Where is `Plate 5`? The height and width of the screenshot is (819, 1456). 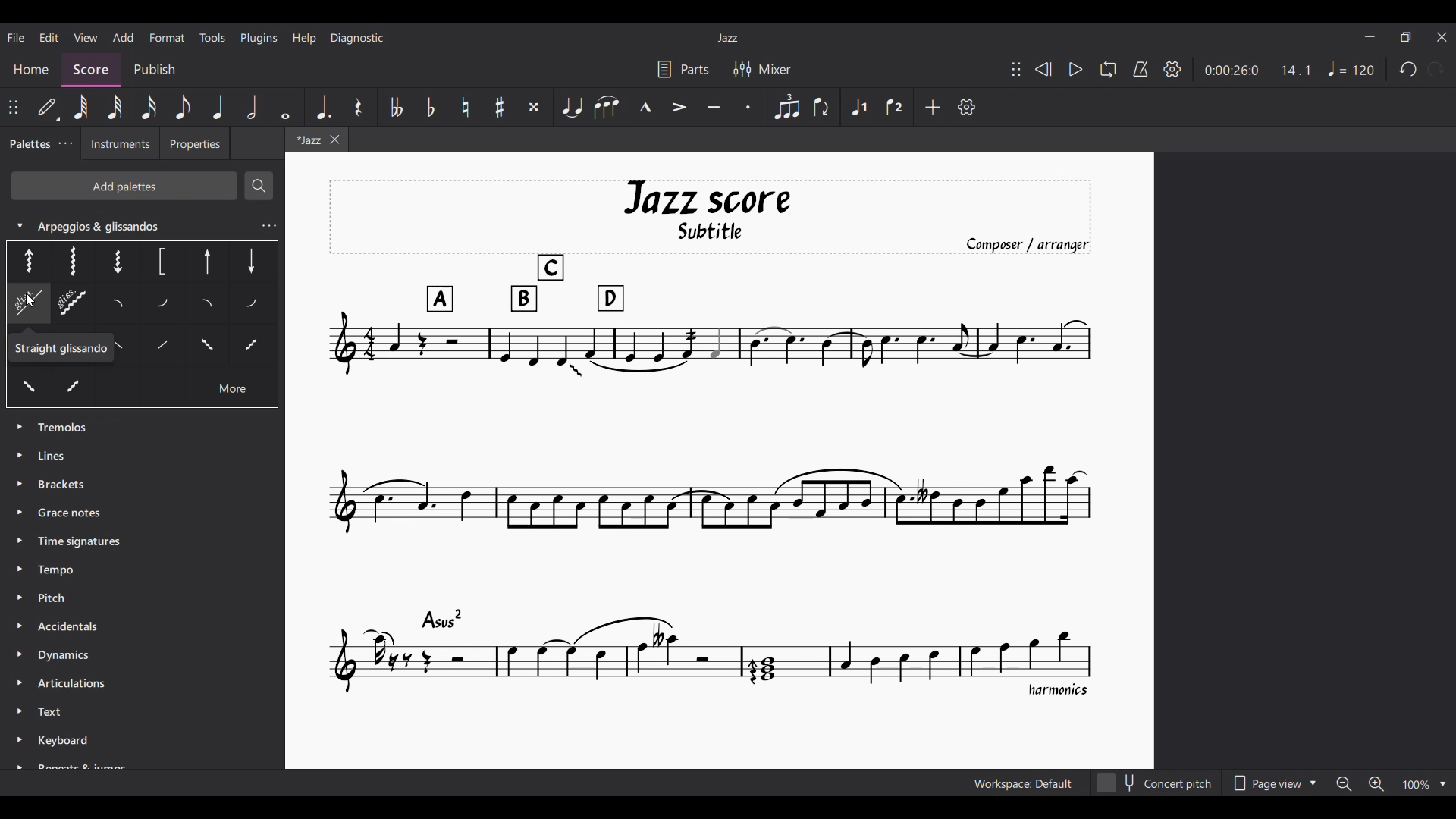
Plate 5 is located at coordinates (208, 263).